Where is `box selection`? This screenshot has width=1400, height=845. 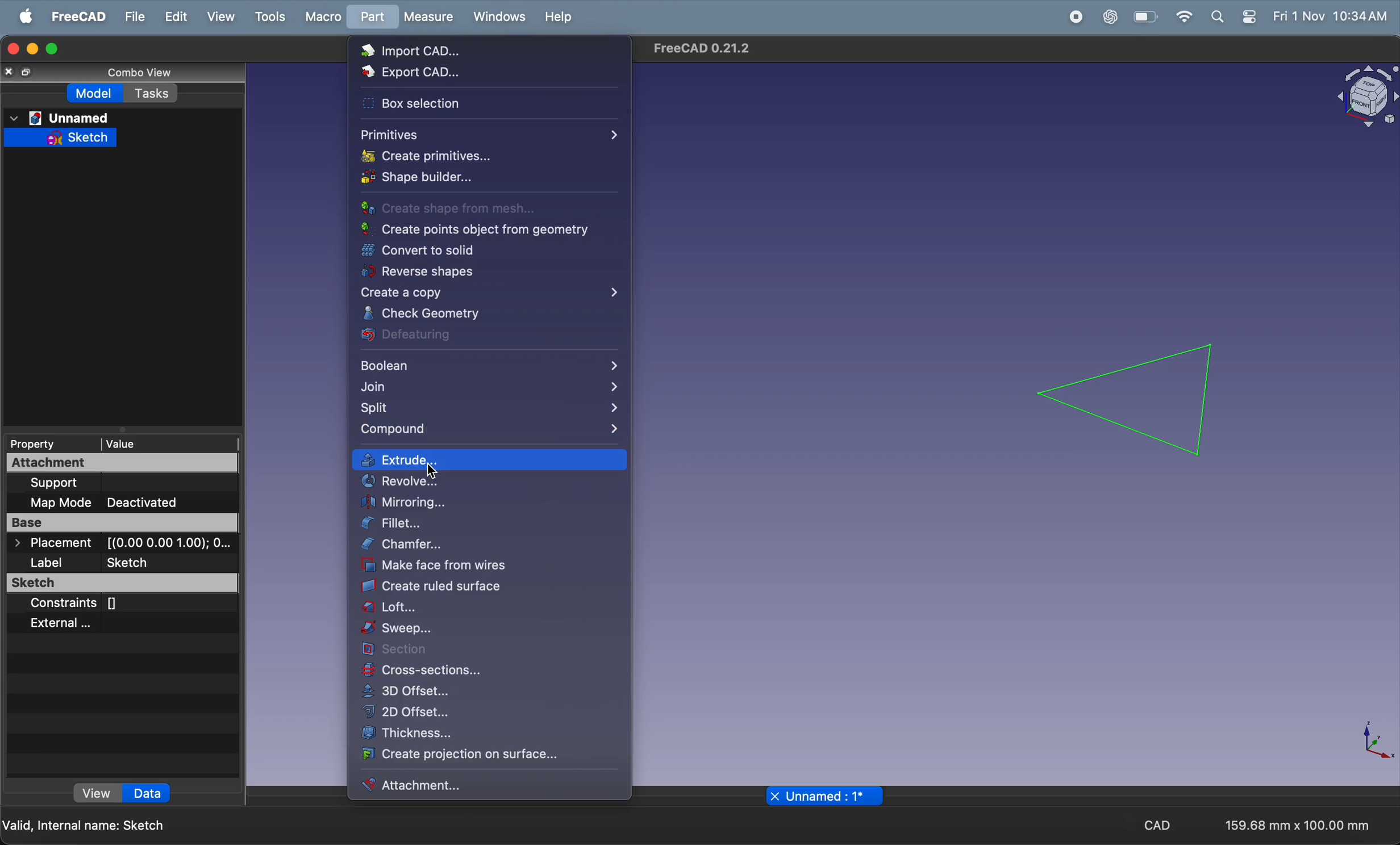
box selection is located at coordinates (448, 107).